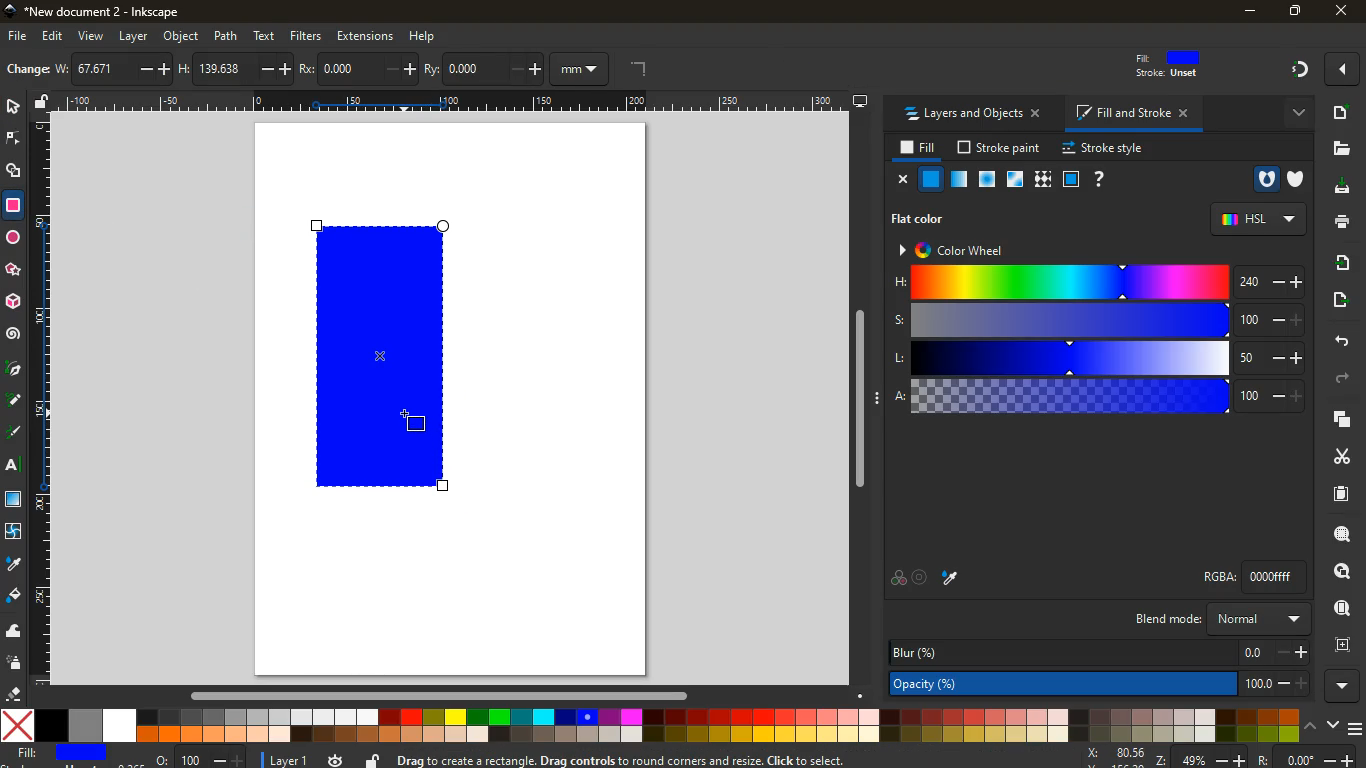 The width and height of the screenshot is (1366, 768). Describe the element at coordinates (1100, 682) in the screenshot. I see `opacity` at that location.